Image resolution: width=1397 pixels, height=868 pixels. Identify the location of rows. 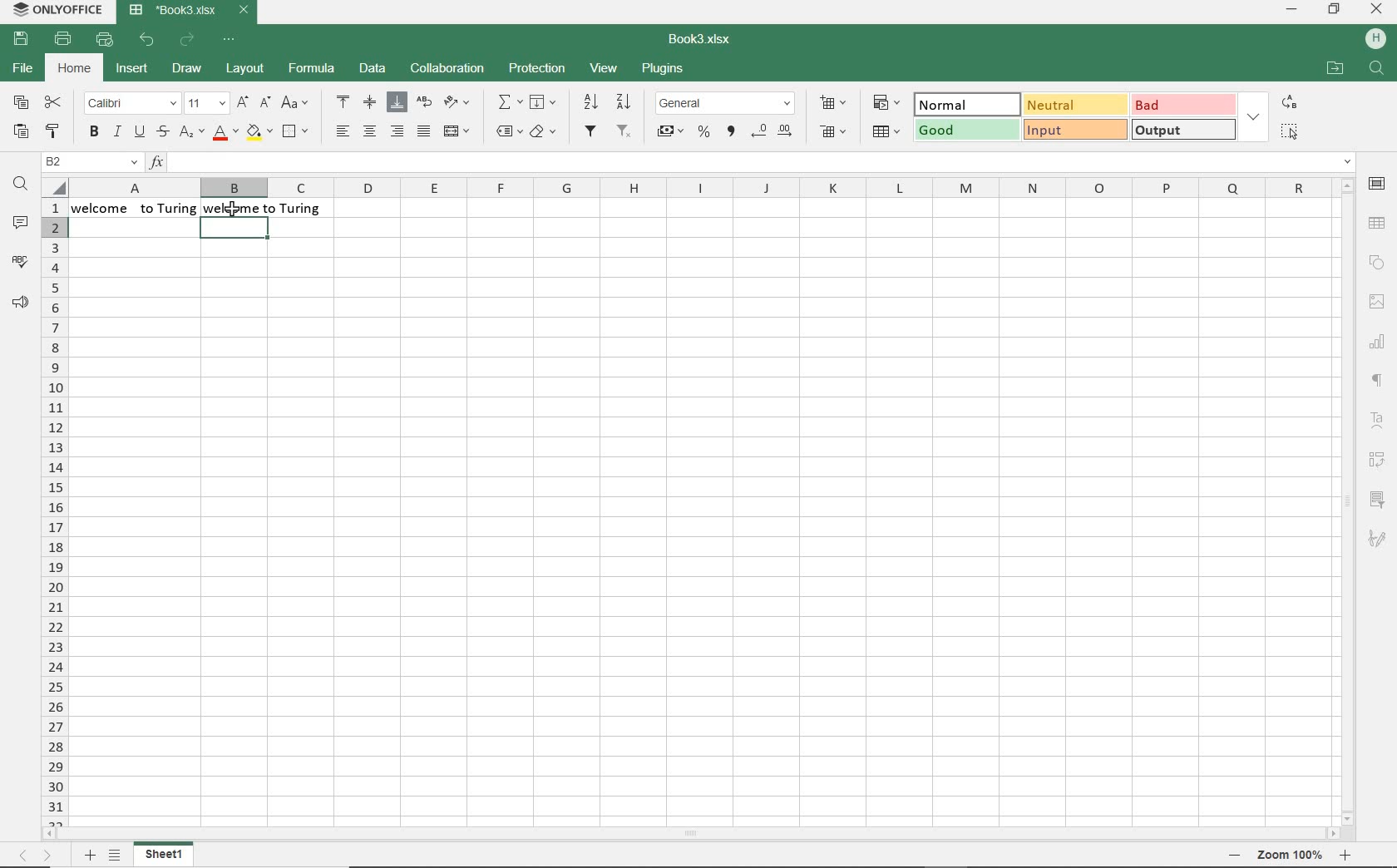
(56, 510).